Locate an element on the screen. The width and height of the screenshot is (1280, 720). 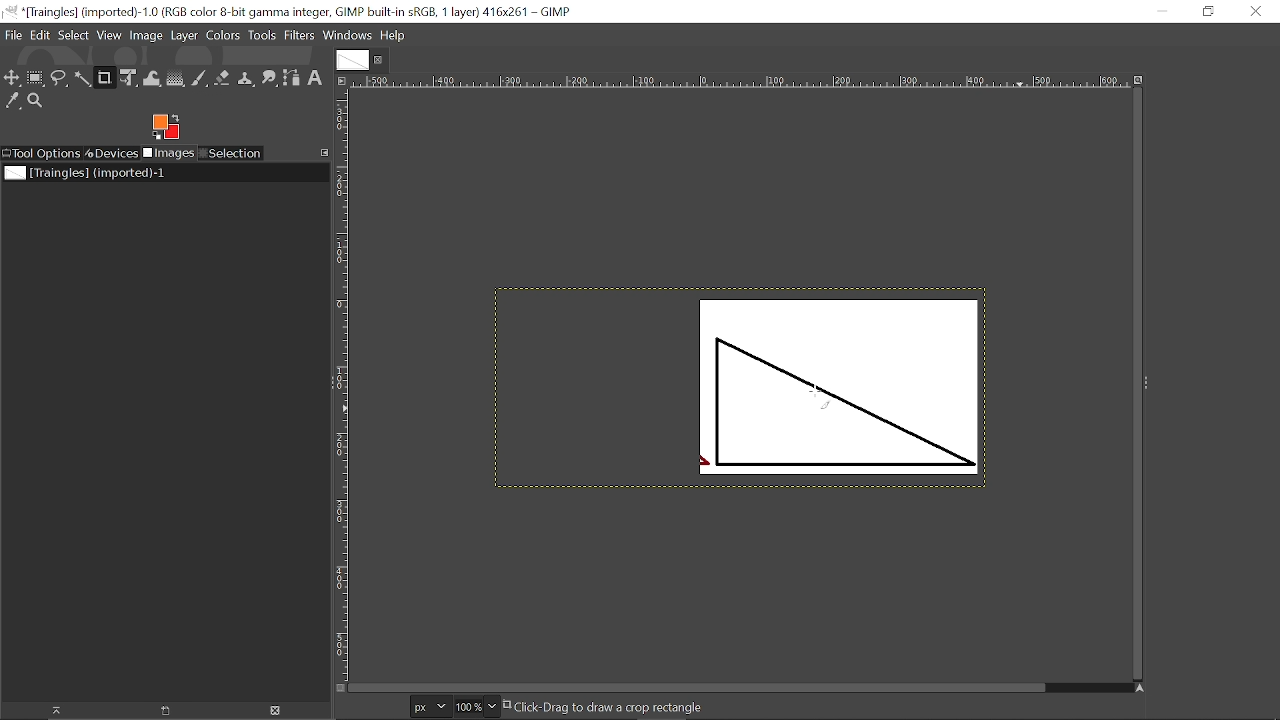
Current file name is located at coordinates (85, 173).